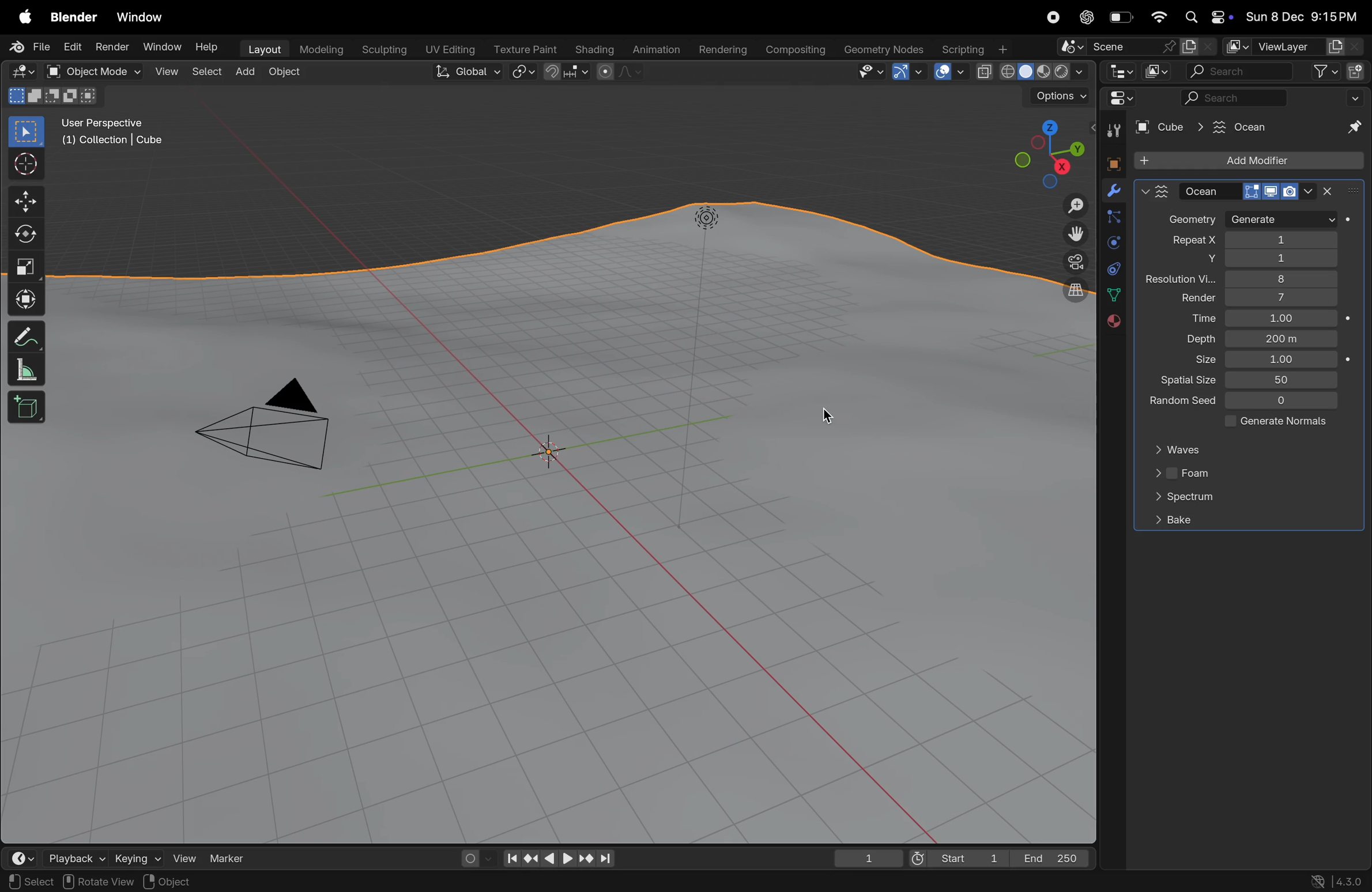  What do you see at coordinates (71, 47) in the screenshot?
I see `edit` at bounding box center [71, 47].